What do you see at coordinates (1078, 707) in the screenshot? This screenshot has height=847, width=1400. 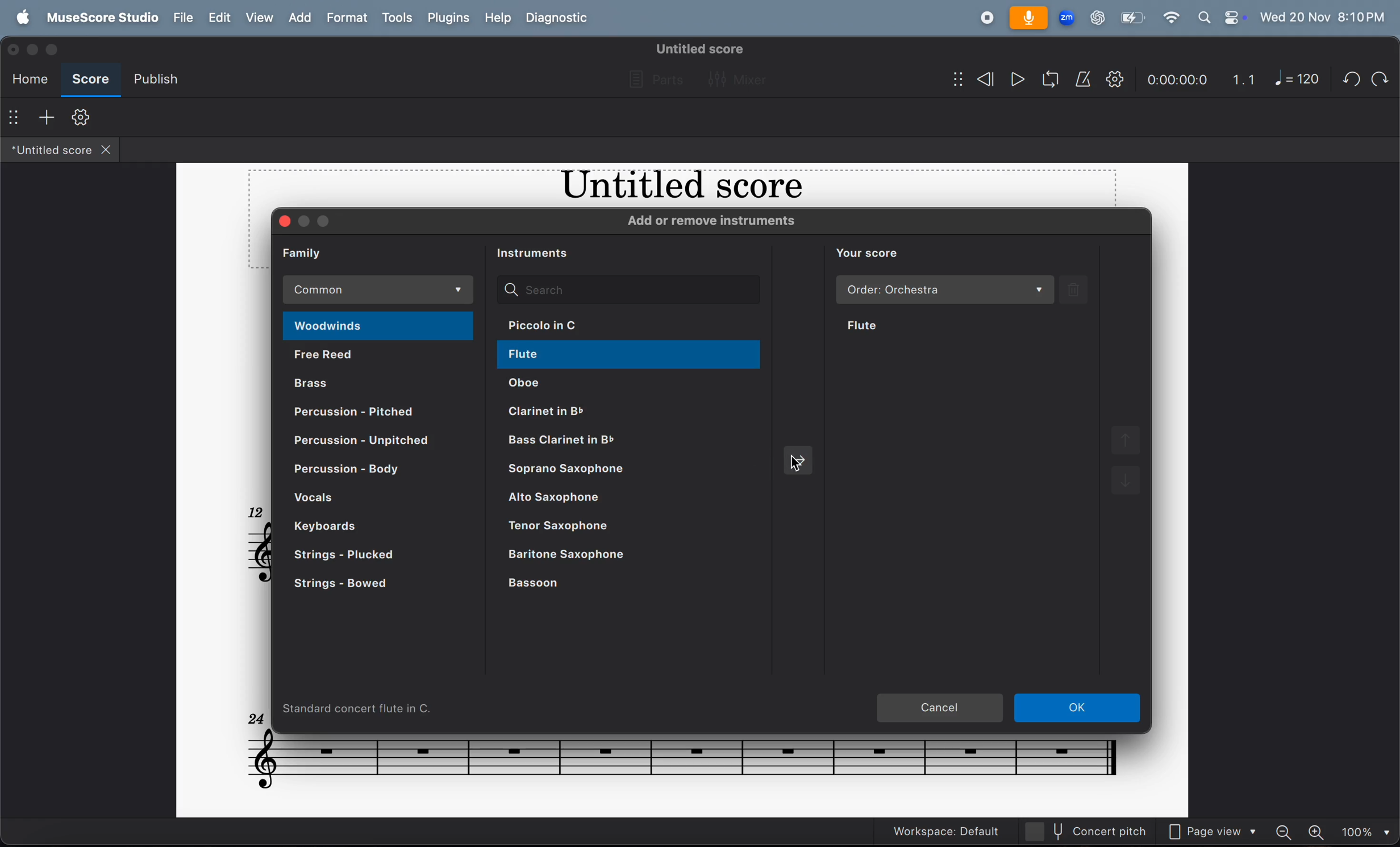 I see `ok` at bounding box center [1078, 707].